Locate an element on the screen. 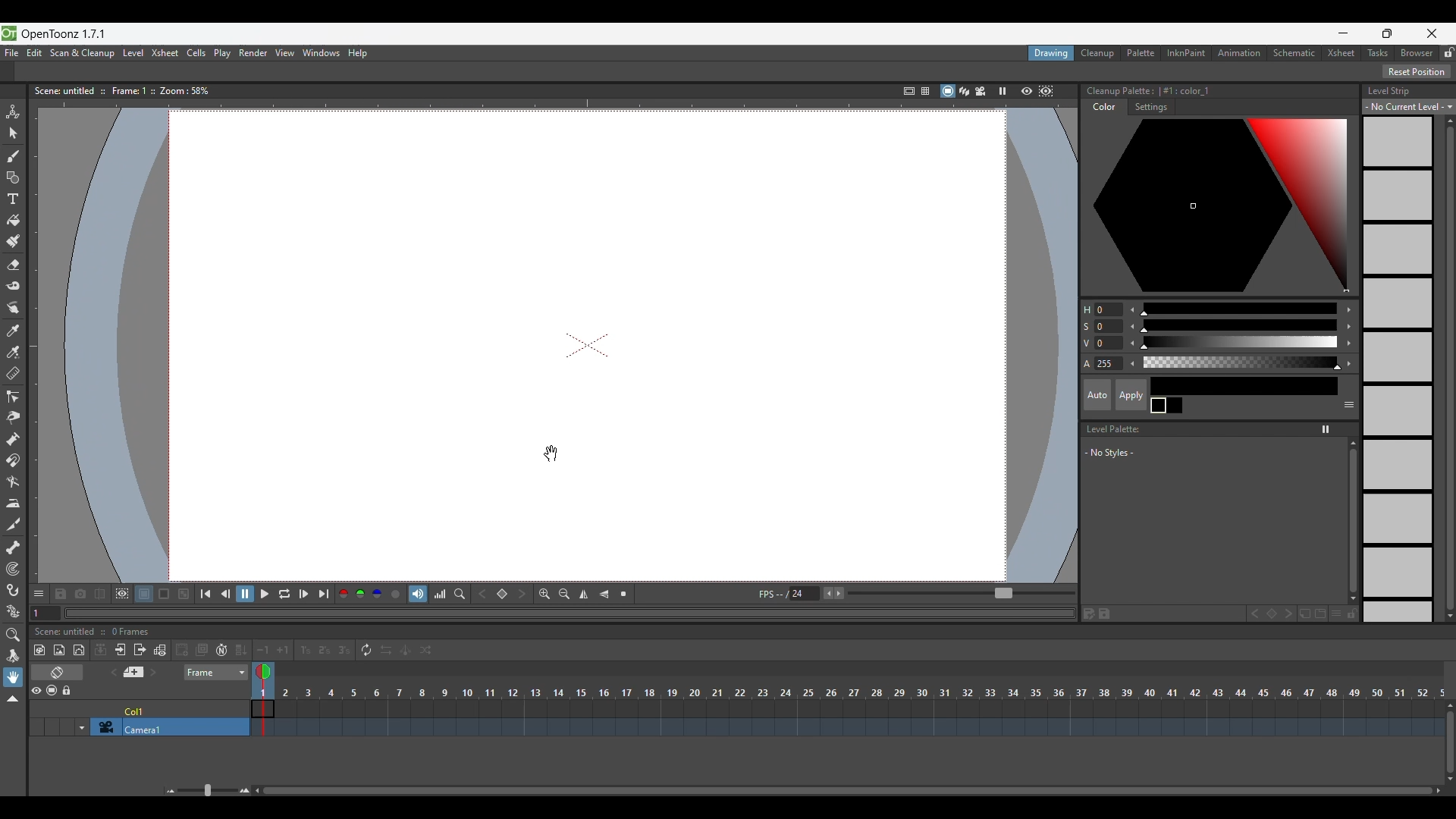 Image resolution: width=1456 pixels, height=819 pixels. Previous frame is located at coordinates (225, 594).